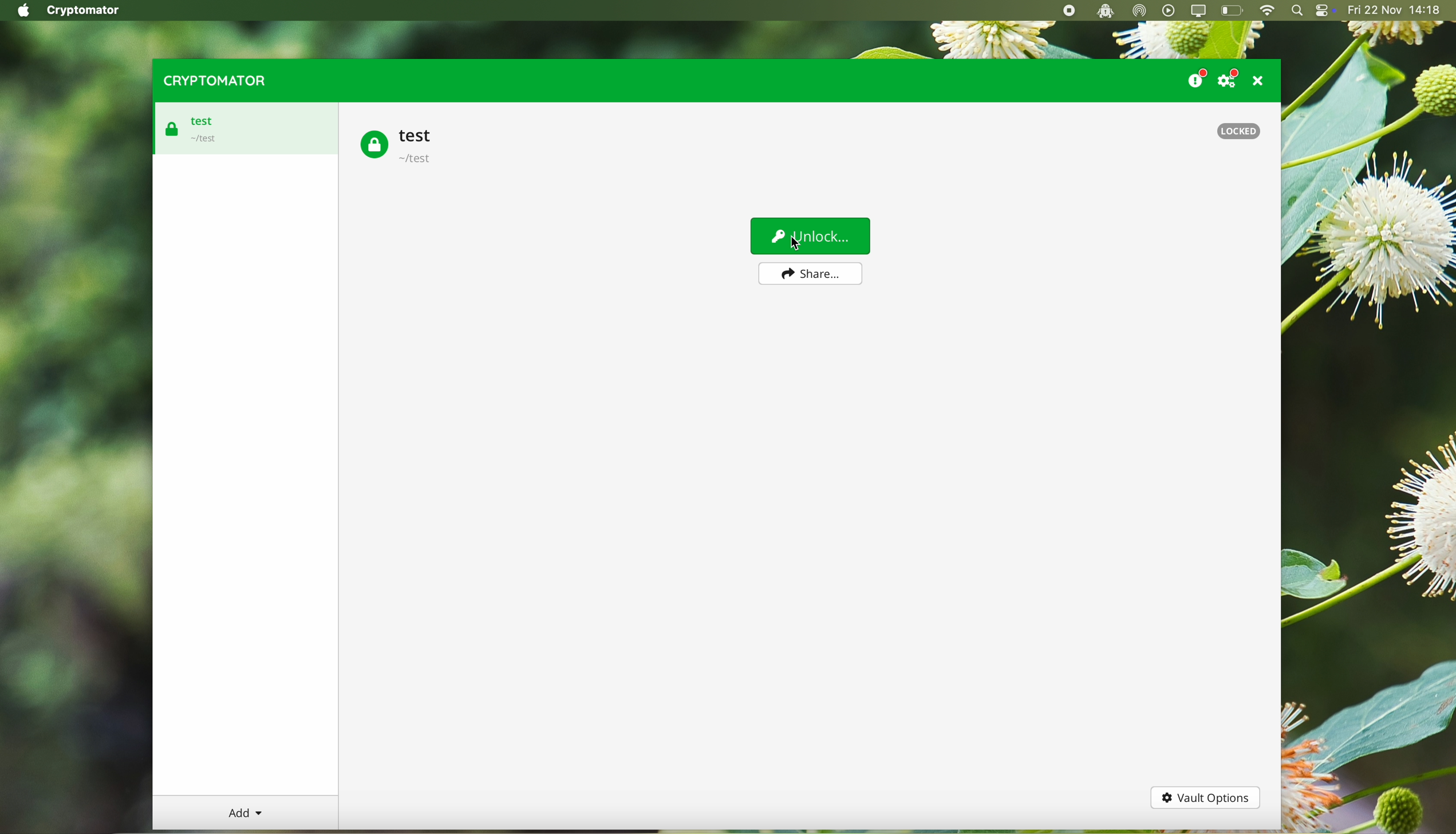 The width and height of the screenshot is (1456, 834). I want to click on vault options, so click(1206, 799).